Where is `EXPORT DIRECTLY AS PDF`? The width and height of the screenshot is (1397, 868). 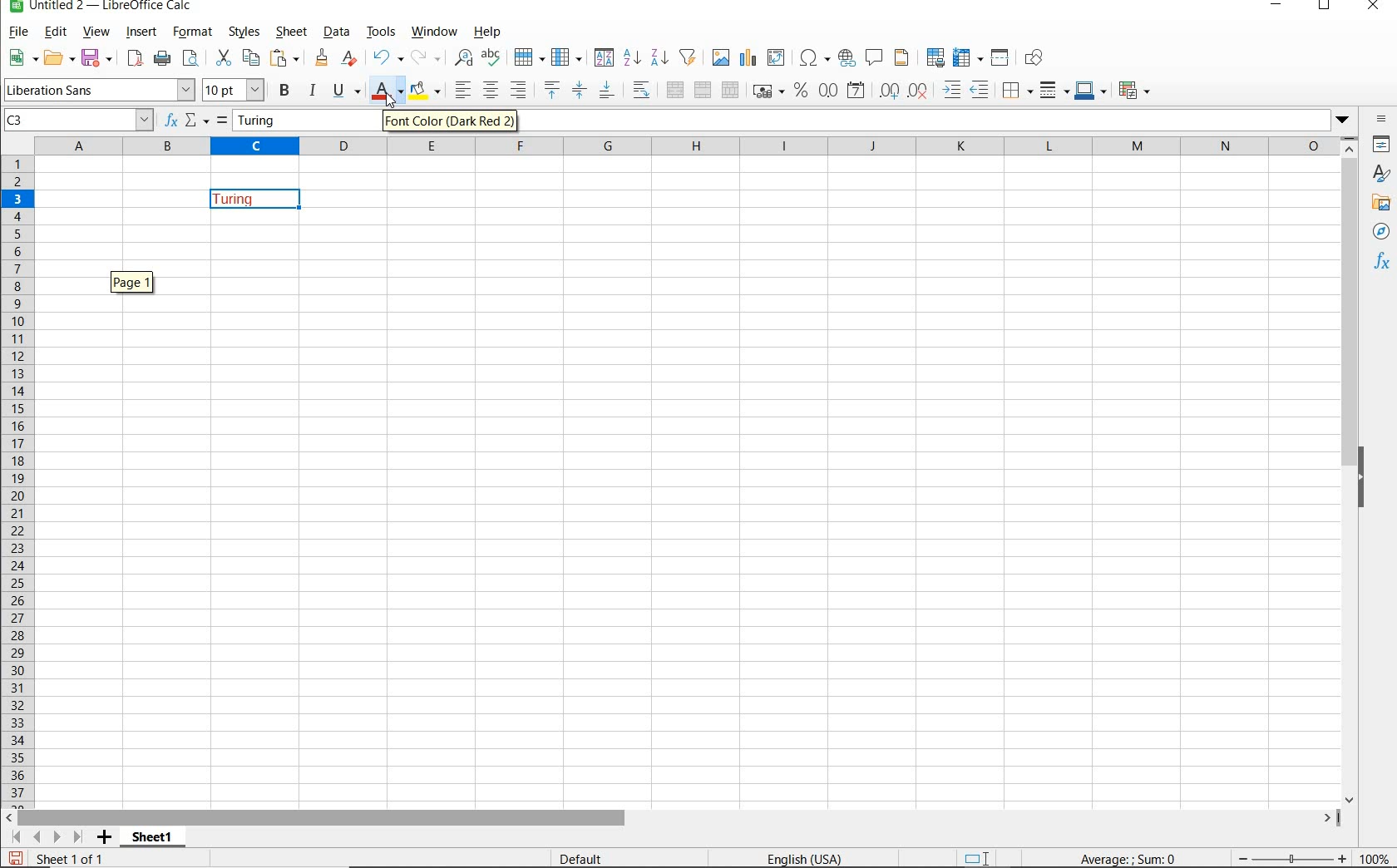 EXPORT DIRECTLY AS PDF is located at coordinates (135, 58).